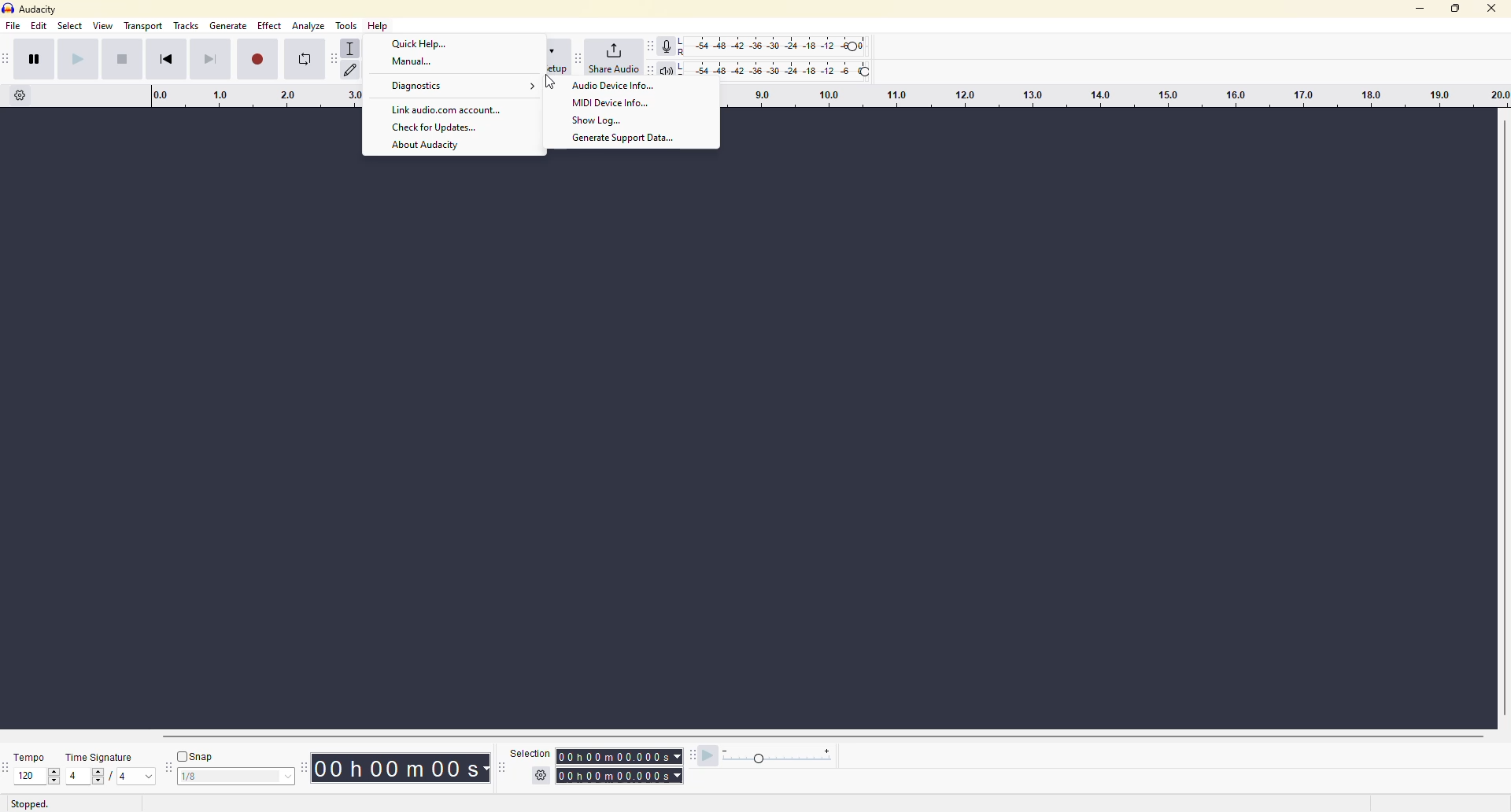  What do you see at coordinates (820, 736) in the screenshot?
I see `horizontal scrollbar` at bounding box center [820, 736].